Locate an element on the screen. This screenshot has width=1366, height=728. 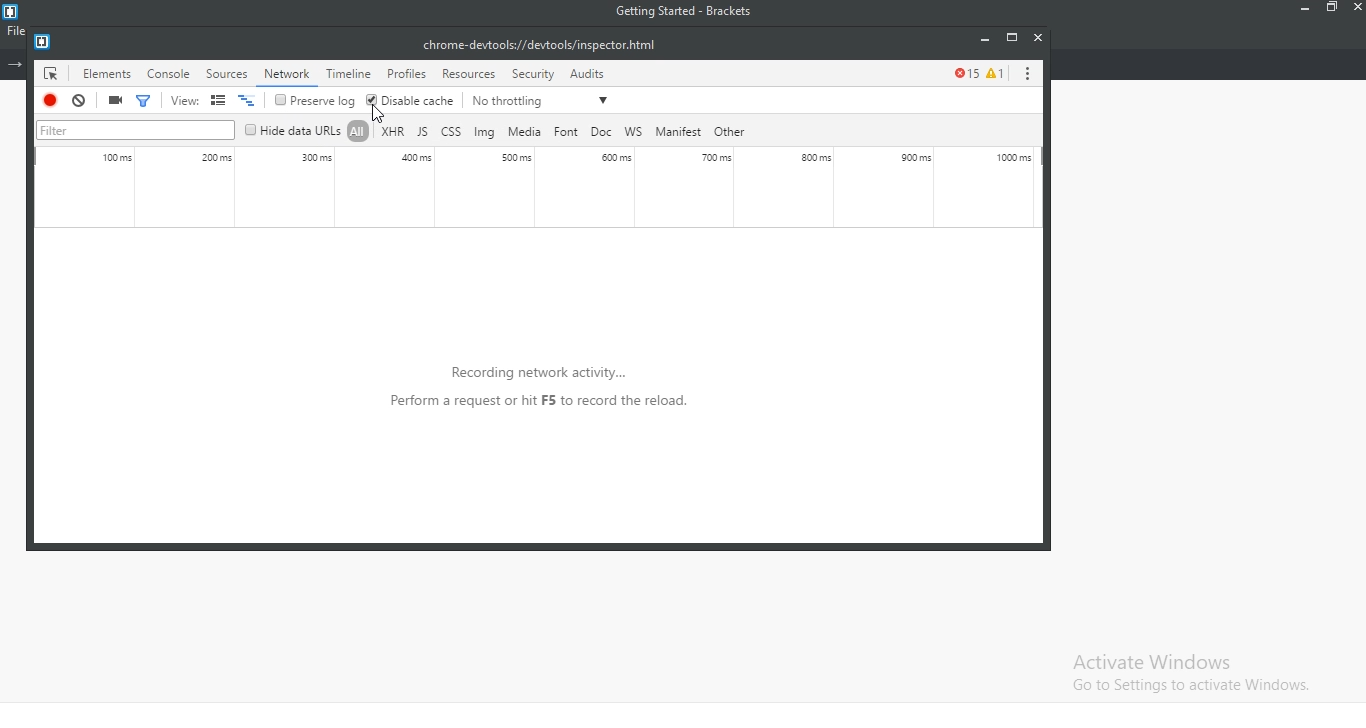
activity monitor is located at coordinates (539, 189).